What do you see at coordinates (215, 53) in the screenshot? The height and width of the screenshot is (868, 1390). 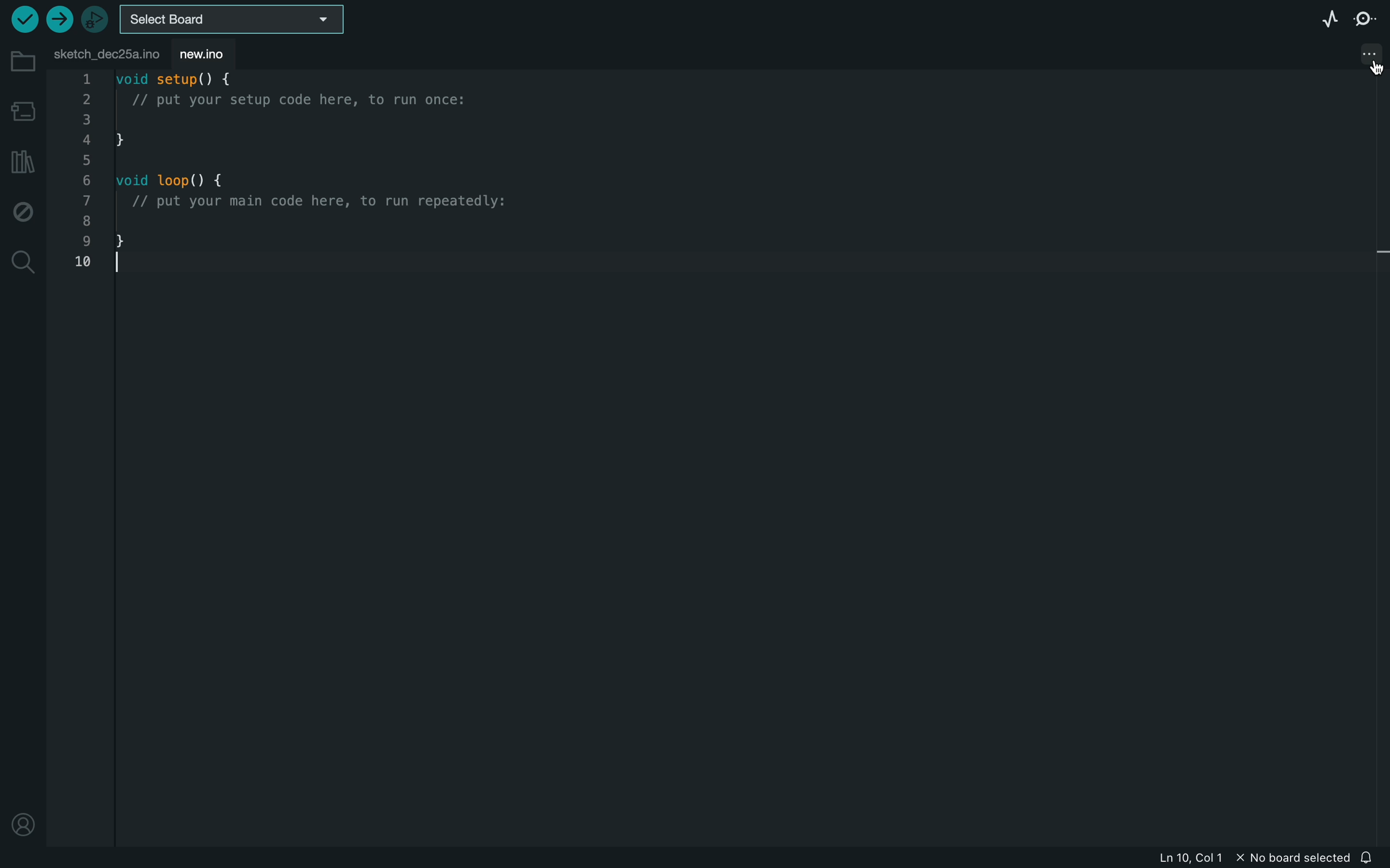 I see `new` at bounding box center [215, 53].